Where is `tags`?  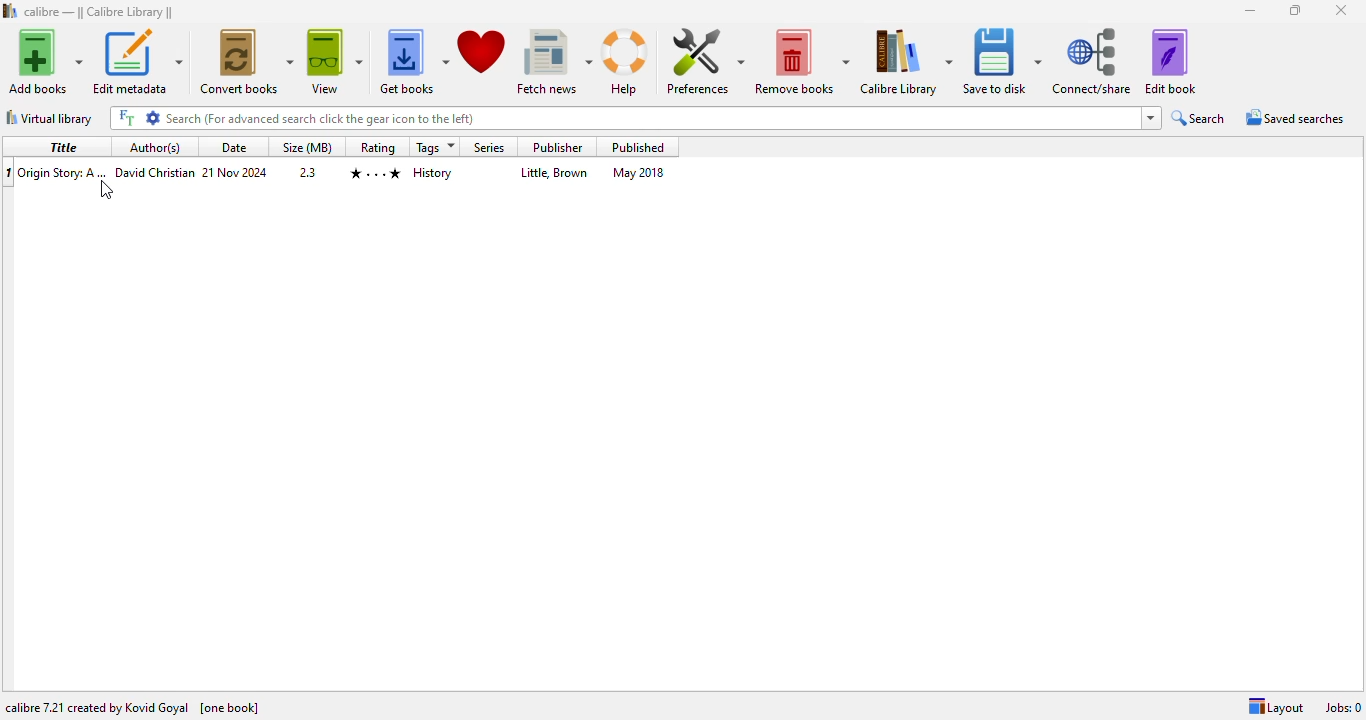 tags is located at coordinates (436, 147).